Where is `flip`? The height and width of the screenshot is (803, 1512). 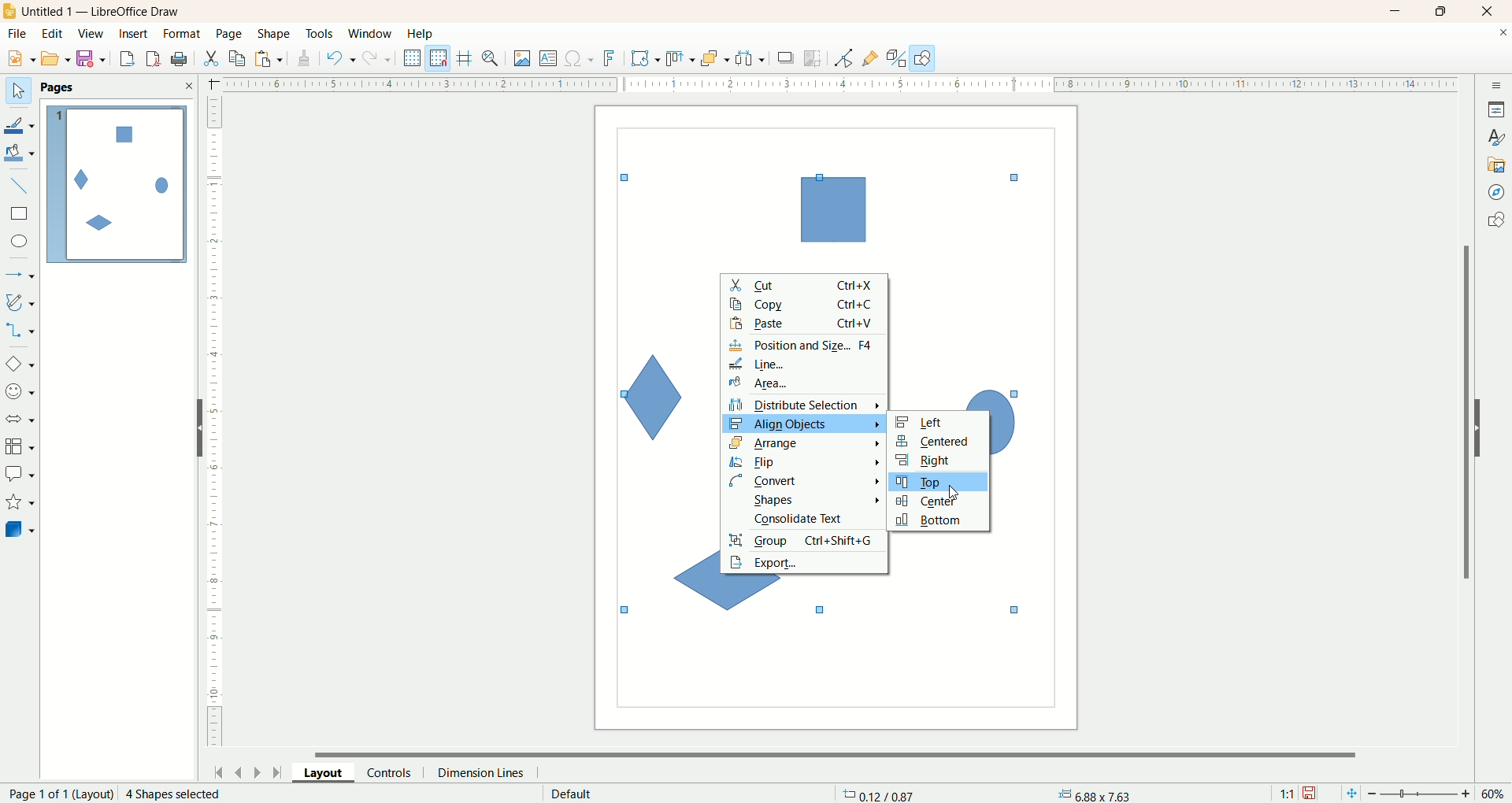 flip is located at coordinates (807, 462).